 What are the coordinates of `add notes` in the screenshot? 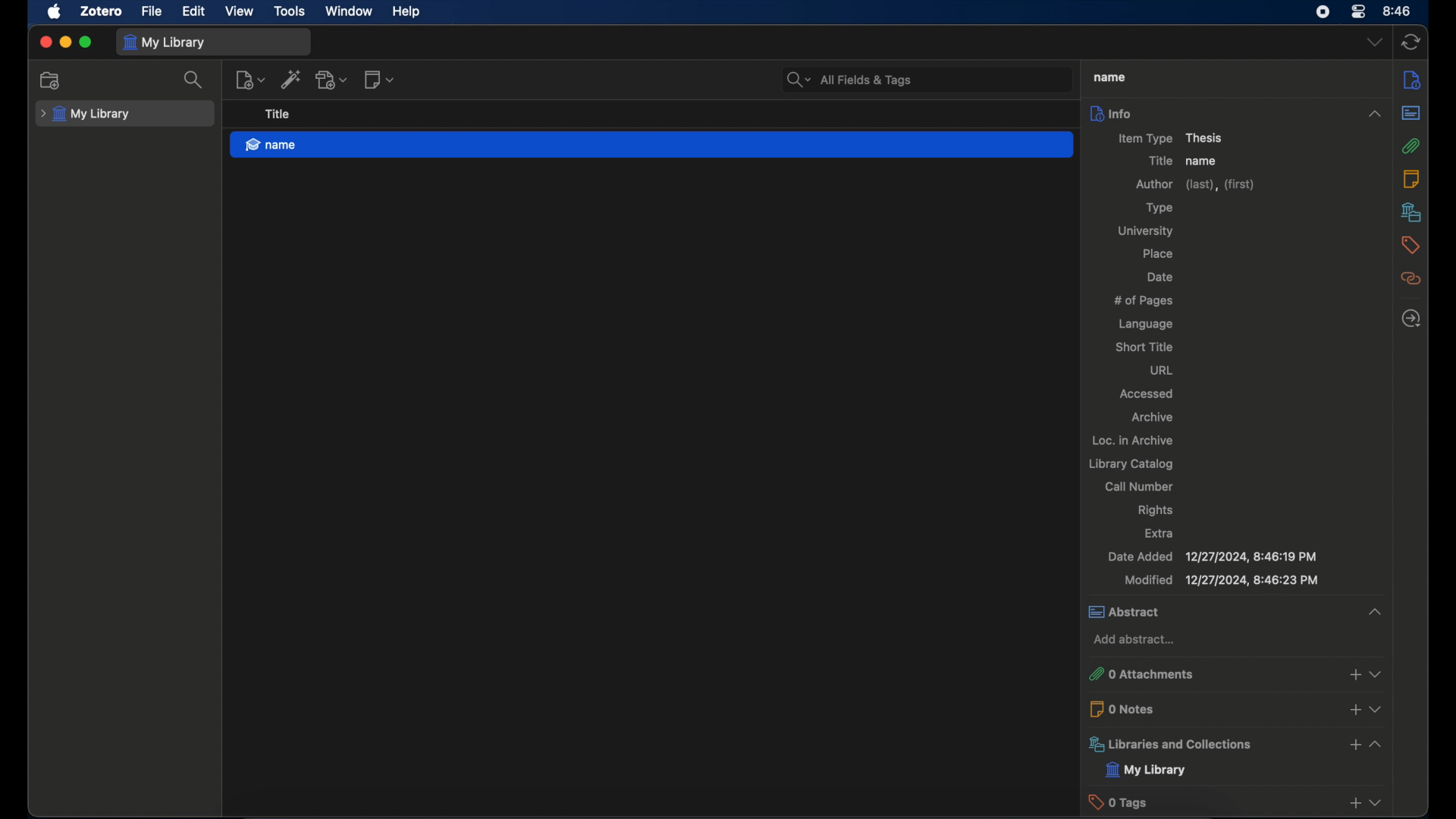 It's located at (1351, 710).